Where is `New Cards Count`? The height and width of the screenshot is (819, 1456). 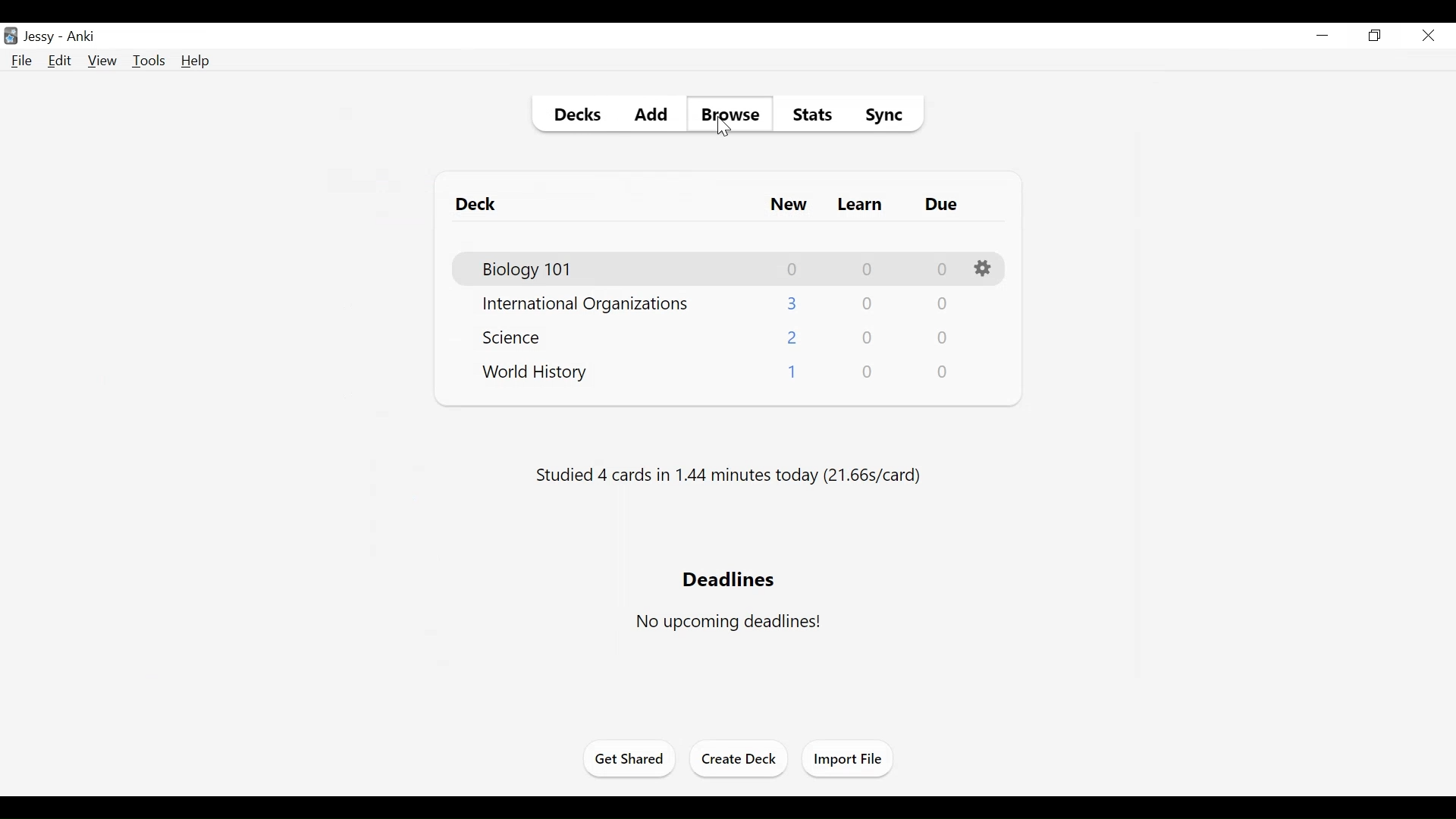 New Cards Count is located at coordinates (792, 303).